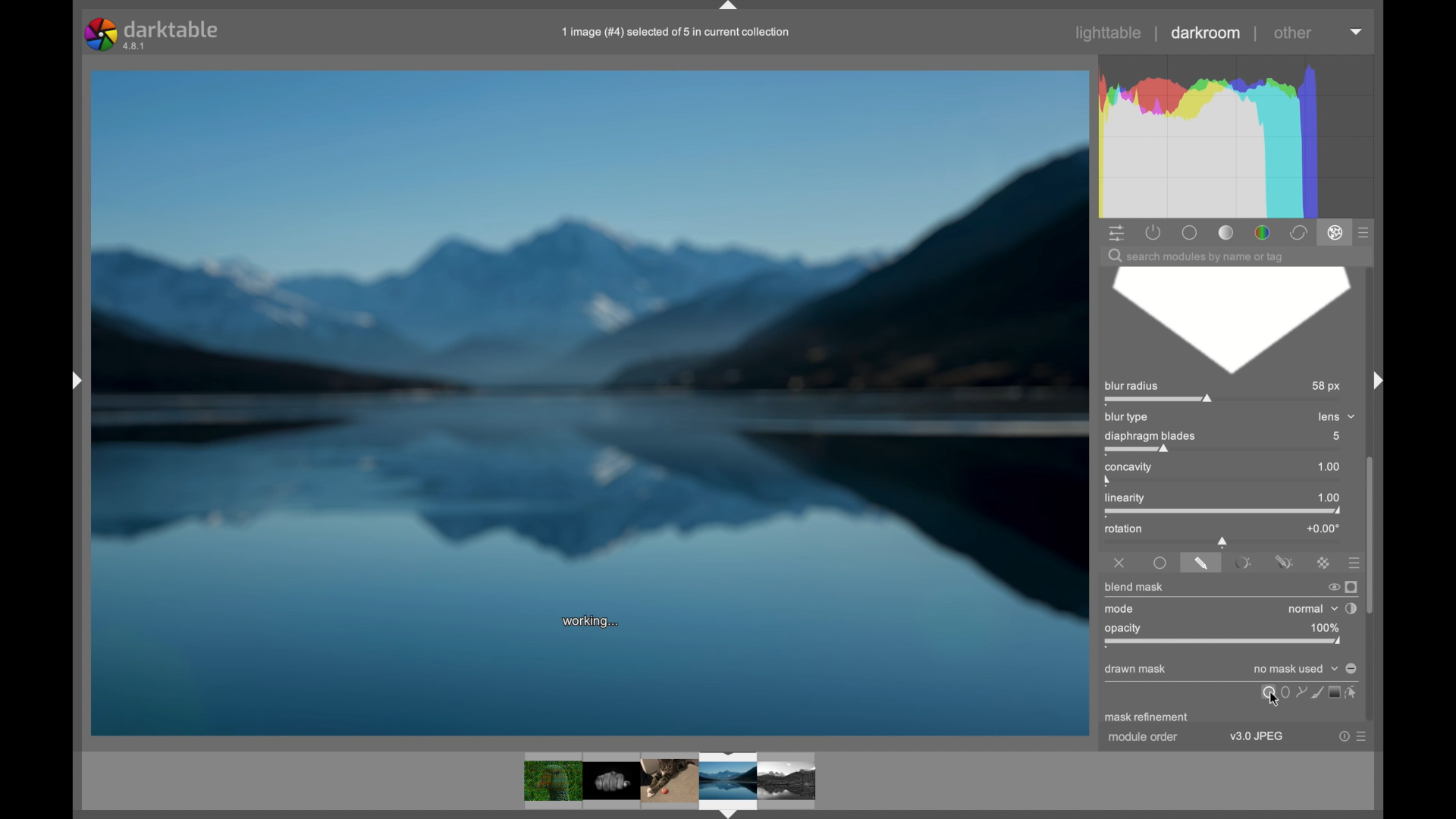 Image resolution: width=1456 pixels, height=819 pixels. What do you see at coordinates (320, 348) in the screenshot?
I see `photo blurred` at bounding box center [320, 348].